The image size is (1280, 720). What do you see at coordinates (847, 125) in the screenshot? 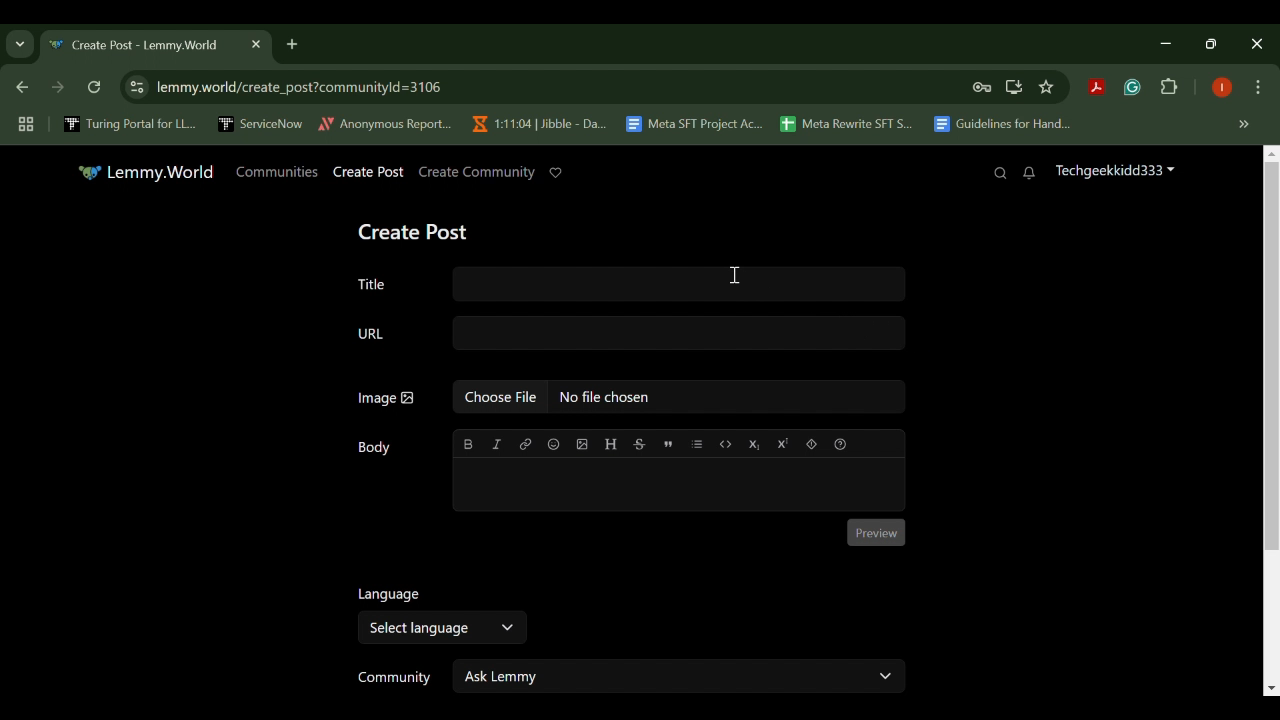
I see `Meta Rewrite SFT S...` at bounding box center [847, 125].